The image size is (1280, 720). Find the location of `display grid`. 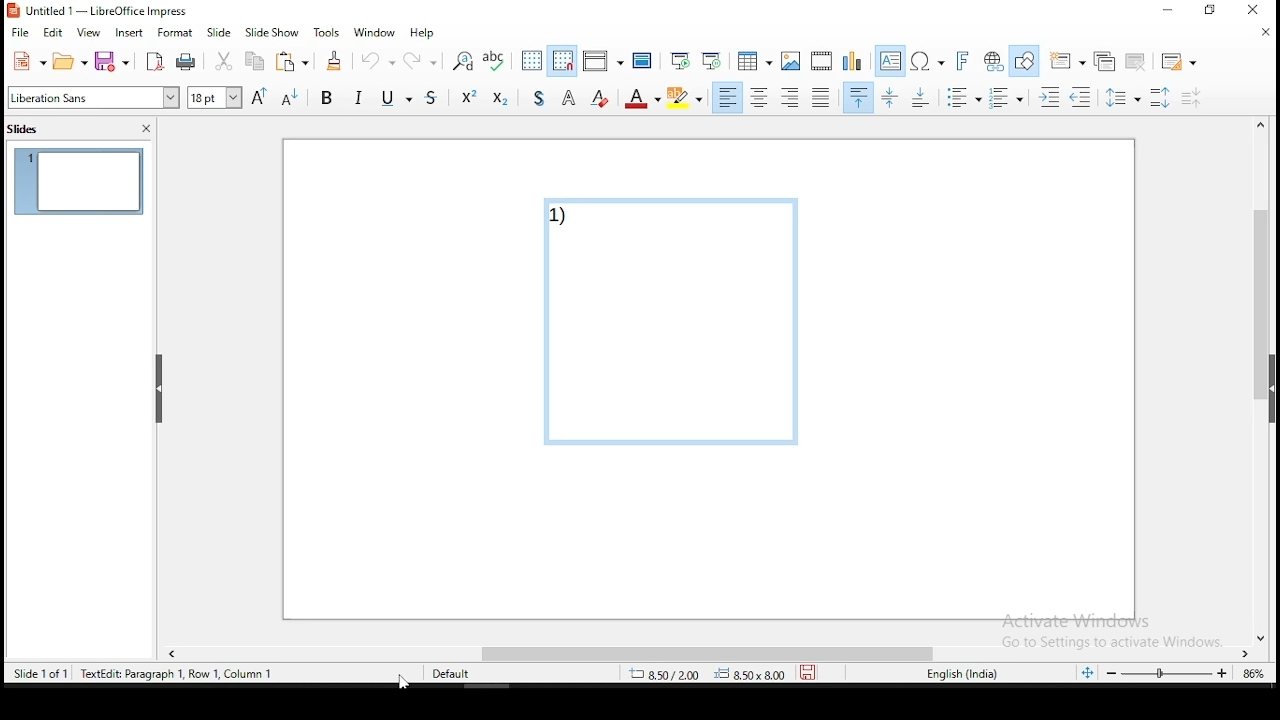

display grid is located at coordinates (528, 60).